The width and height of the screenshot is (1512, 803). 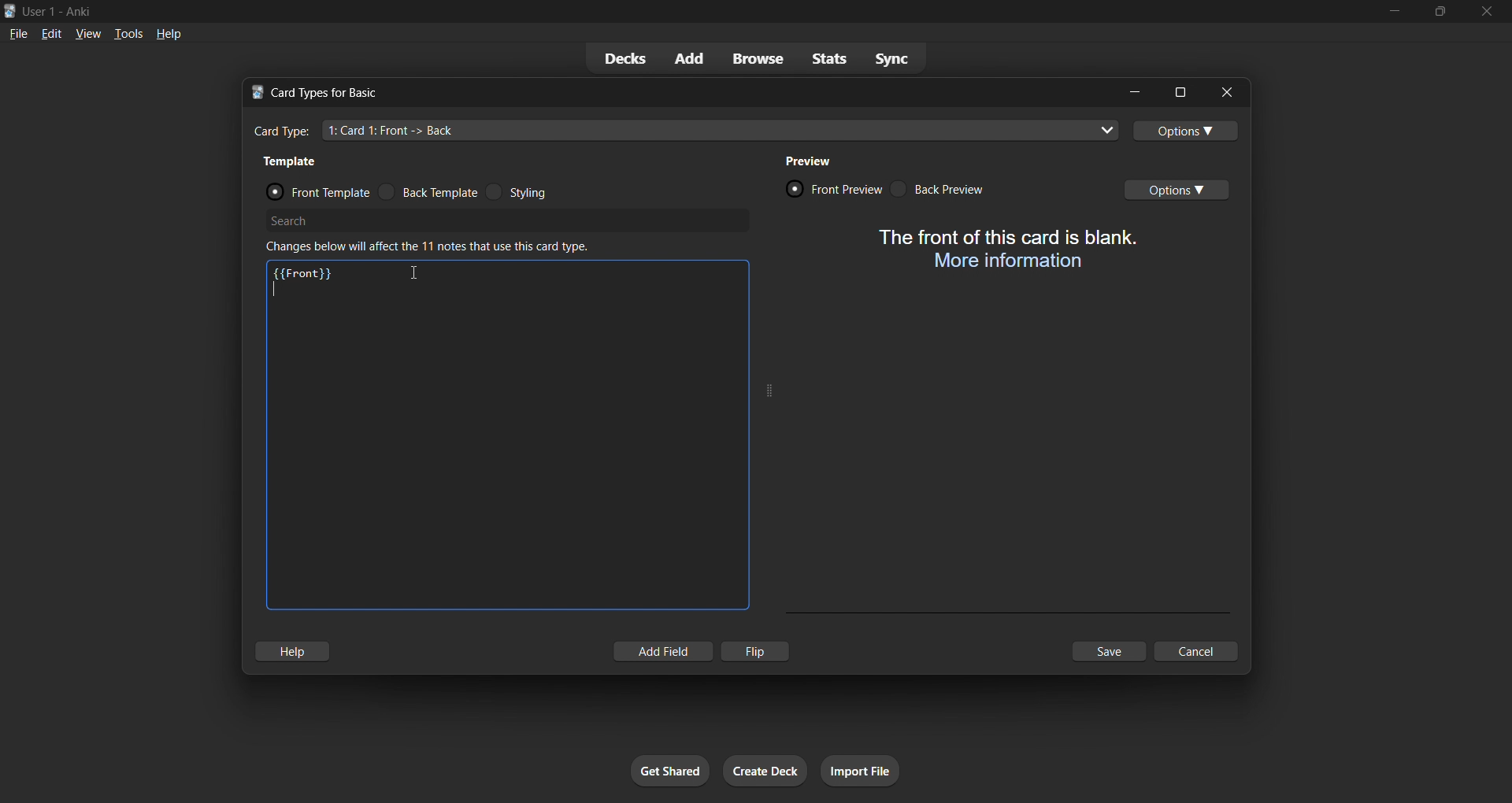 What do you see at coordinates (825, 61) in the screenshot?
I see `stats` at bounding box center [825, 61].